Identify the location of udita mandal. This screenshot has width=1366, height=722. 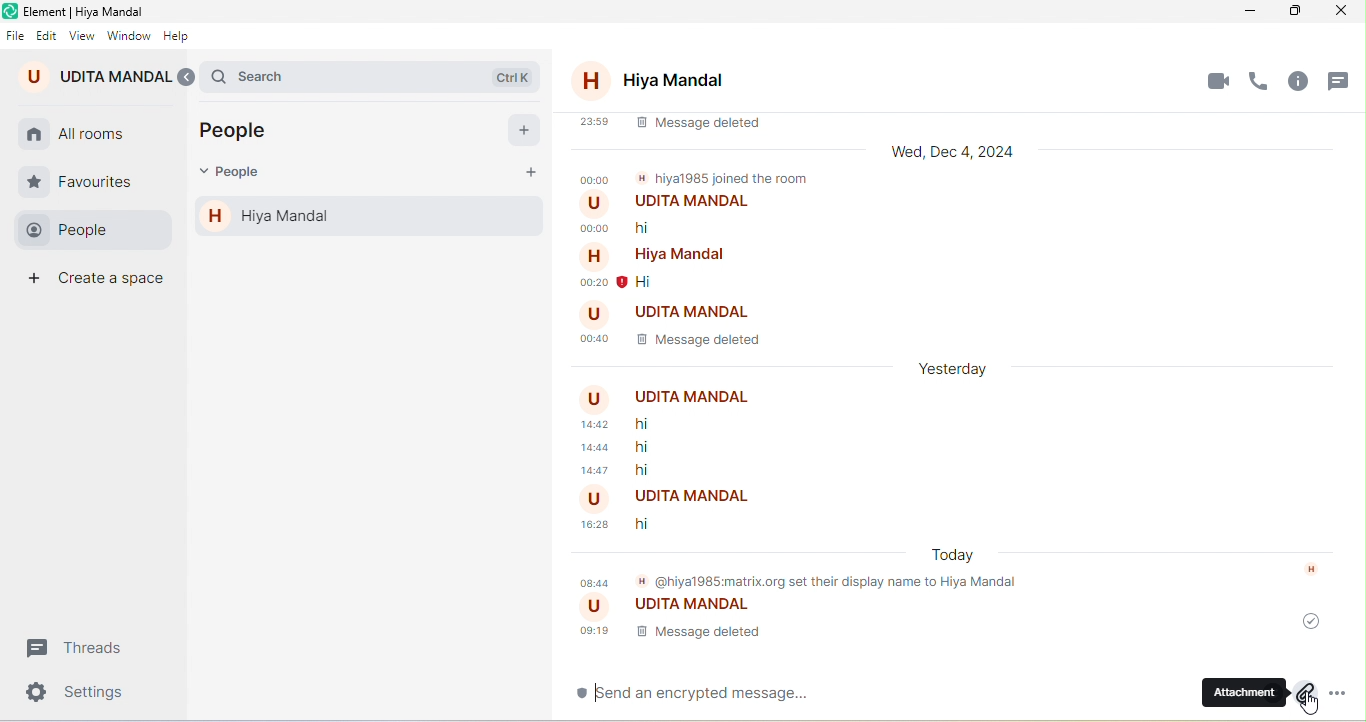
(682, 609).